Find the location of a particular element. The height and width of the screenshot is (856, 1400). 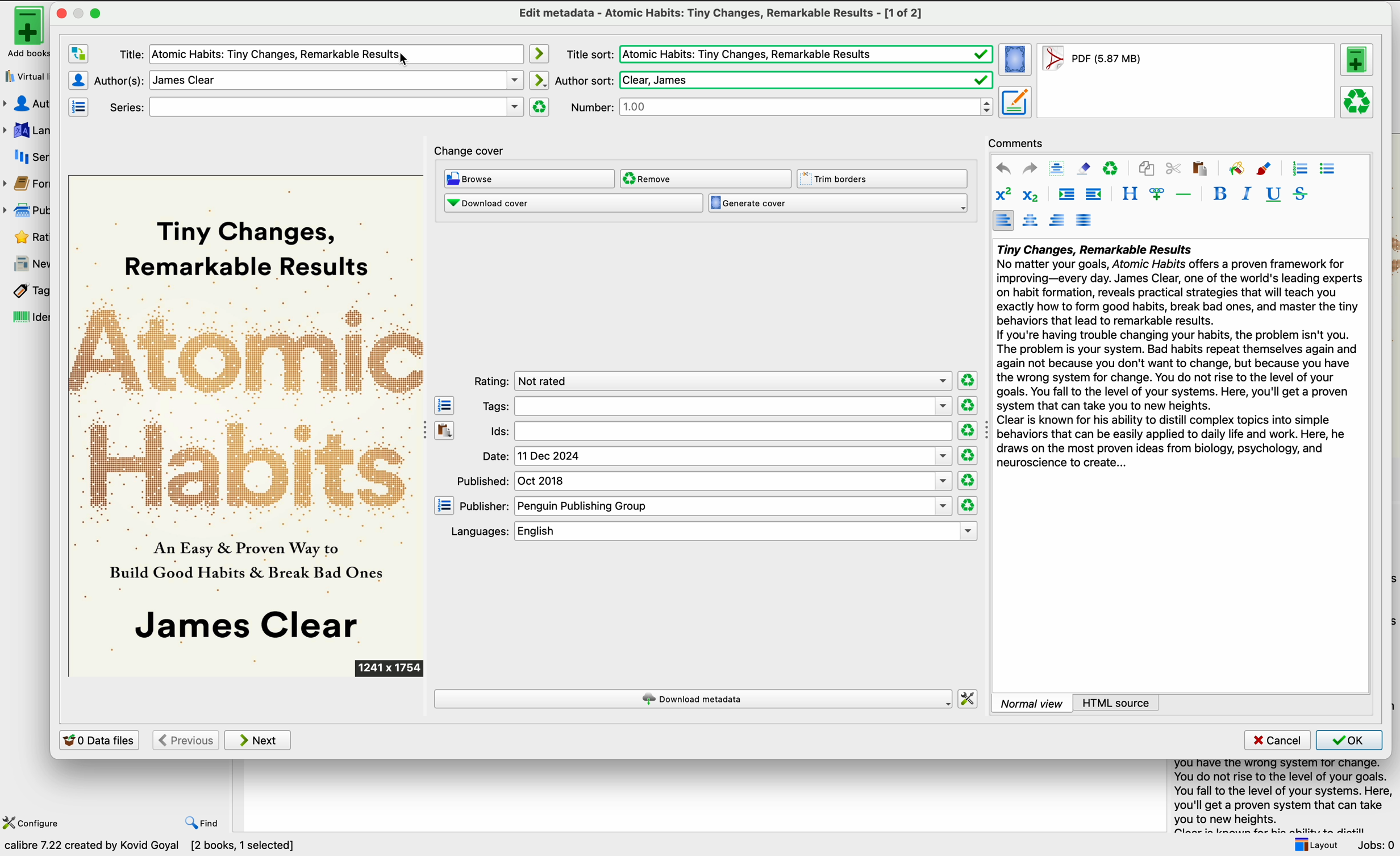

clear series is located at coordinates (540, 107).